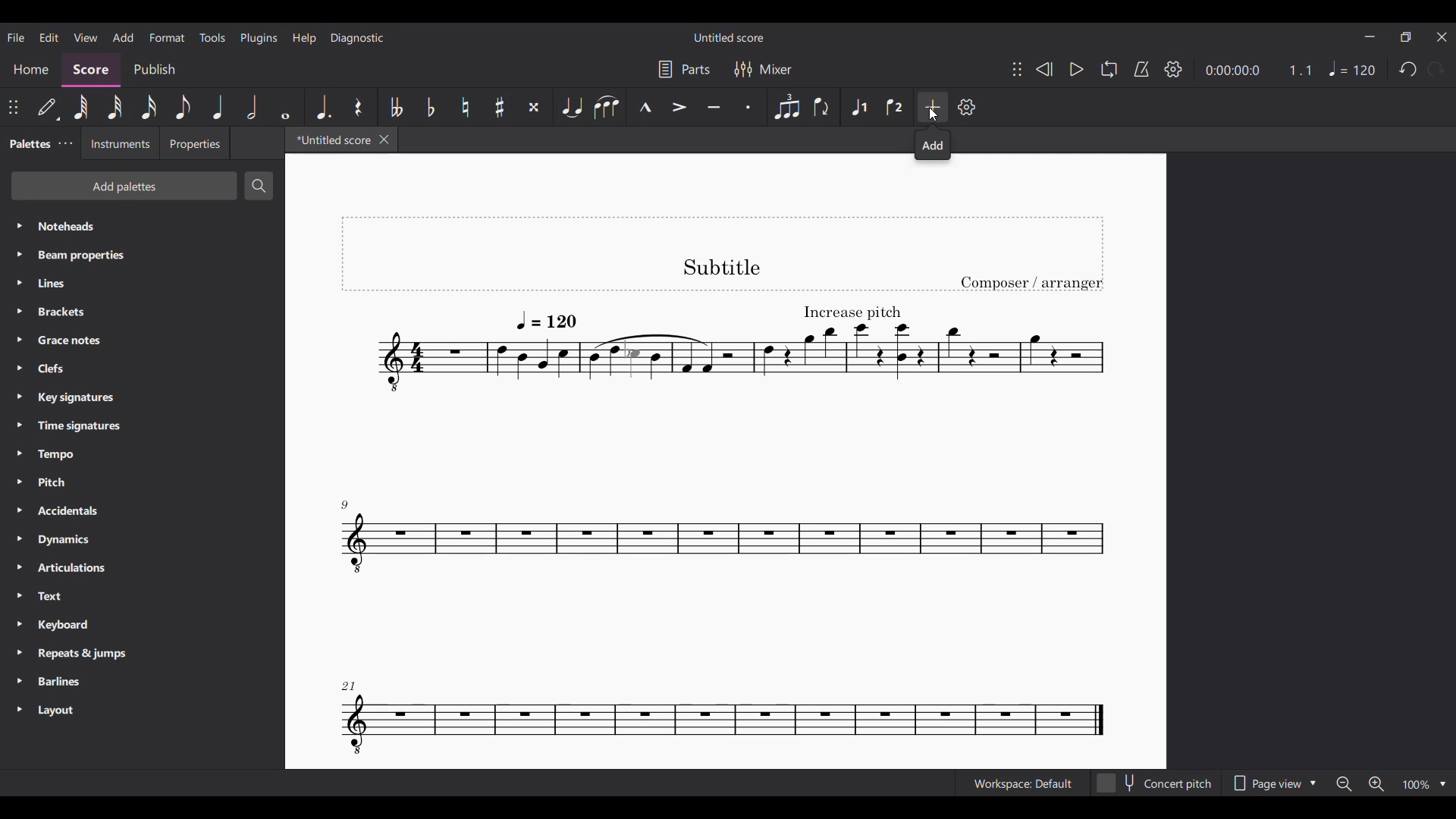 The image size is (1456, 819). I want to click on Flip direction, so click(824, 107).